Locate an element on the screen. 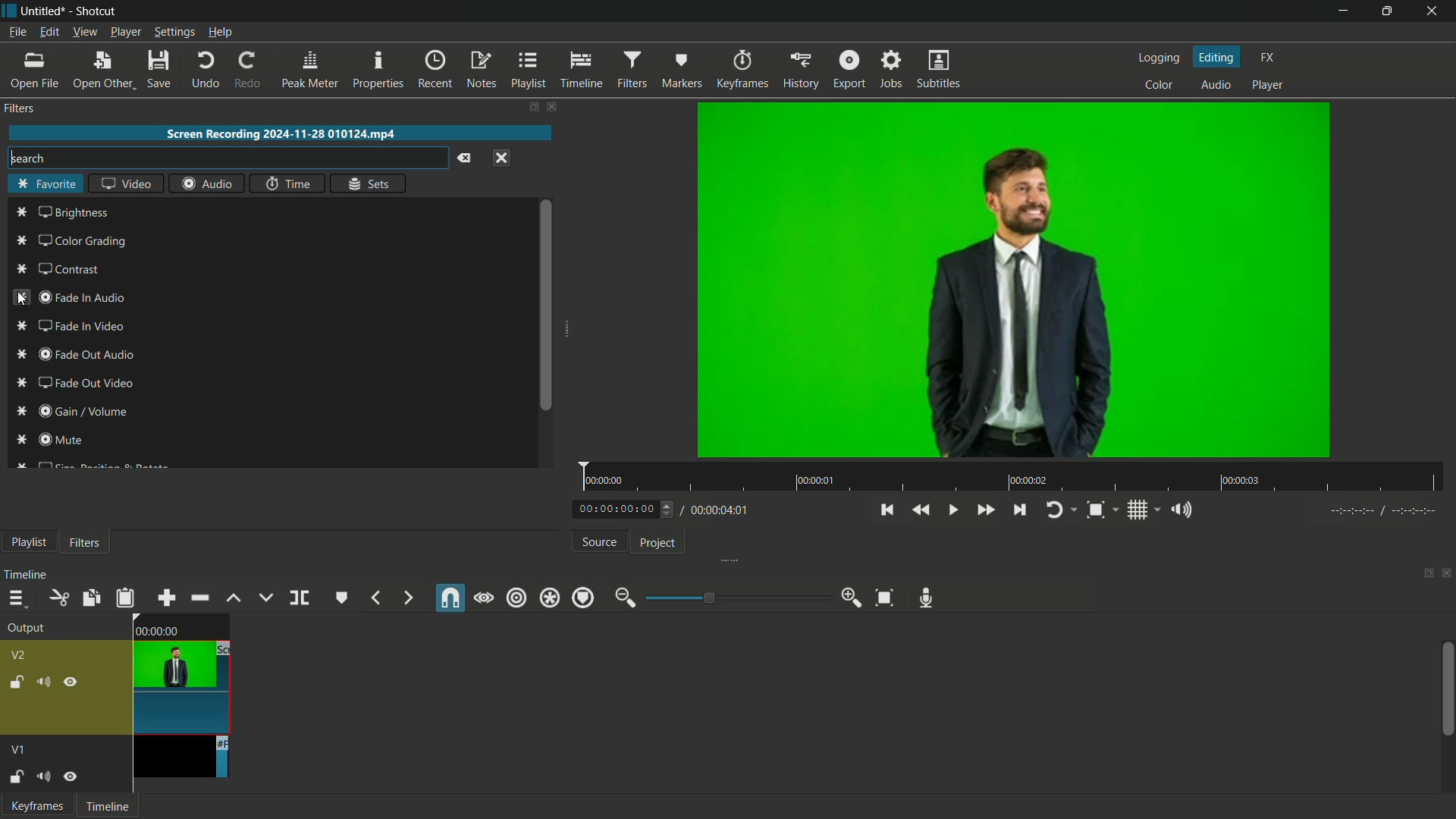 The width and height of the screenshot is (1456, 819). skip to the previous point is located at coordinates (888, 510).